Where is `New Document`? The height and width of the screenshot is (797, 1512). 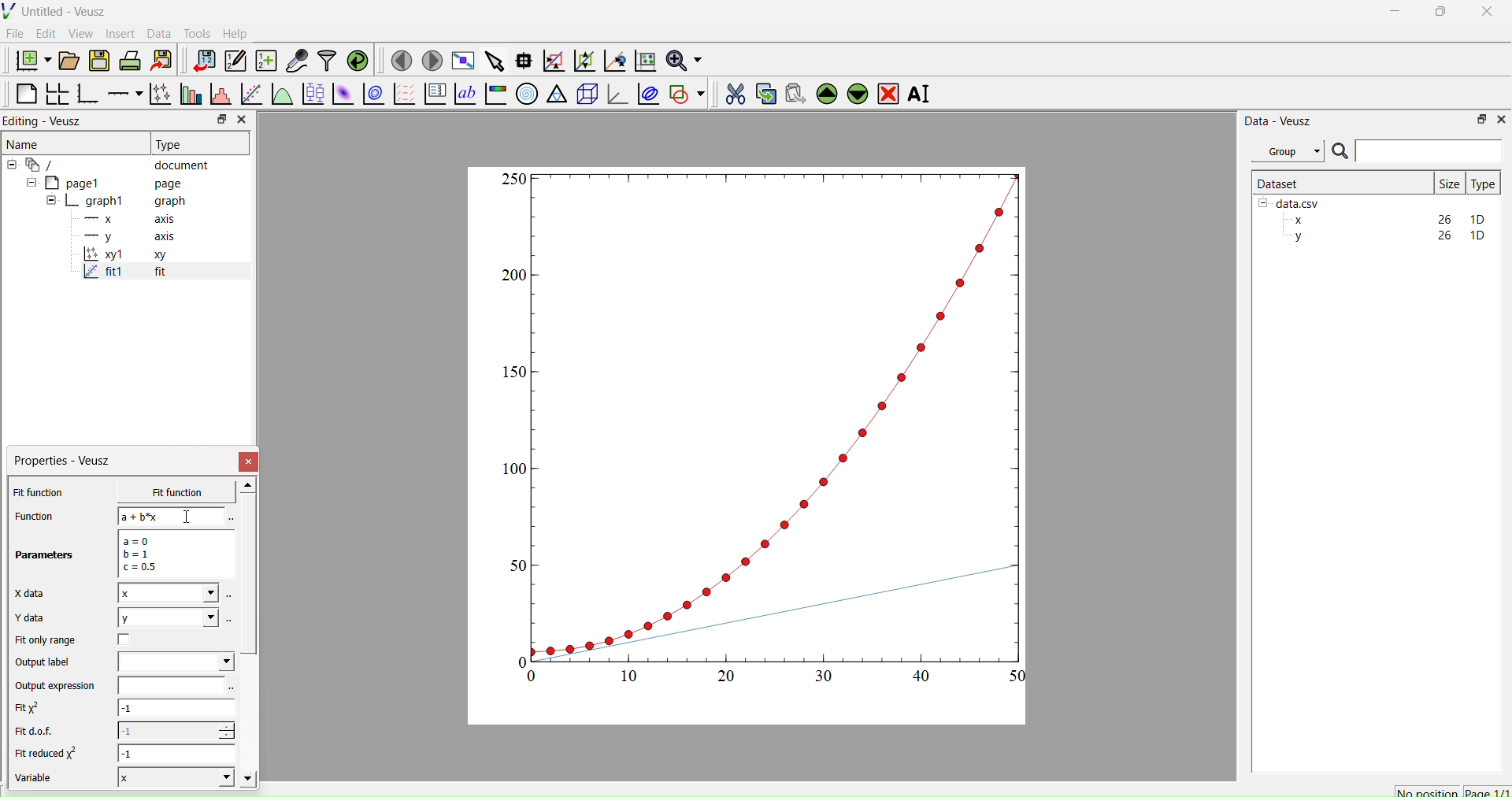 New Document is located at coordinates (29, 58).